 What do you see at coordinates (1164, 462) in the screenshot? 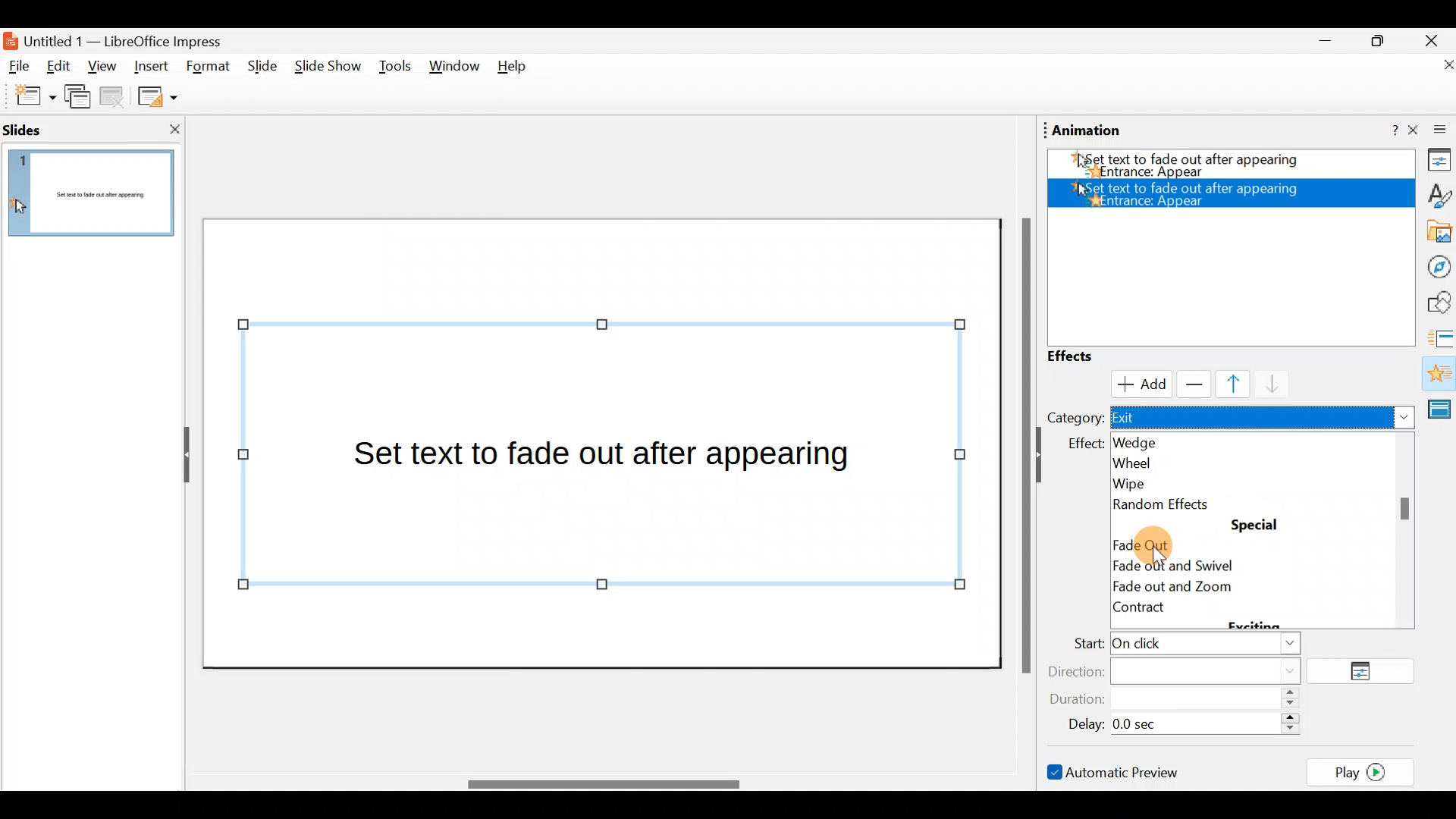
I see `Wheel` at bounding box center [1164, 462].